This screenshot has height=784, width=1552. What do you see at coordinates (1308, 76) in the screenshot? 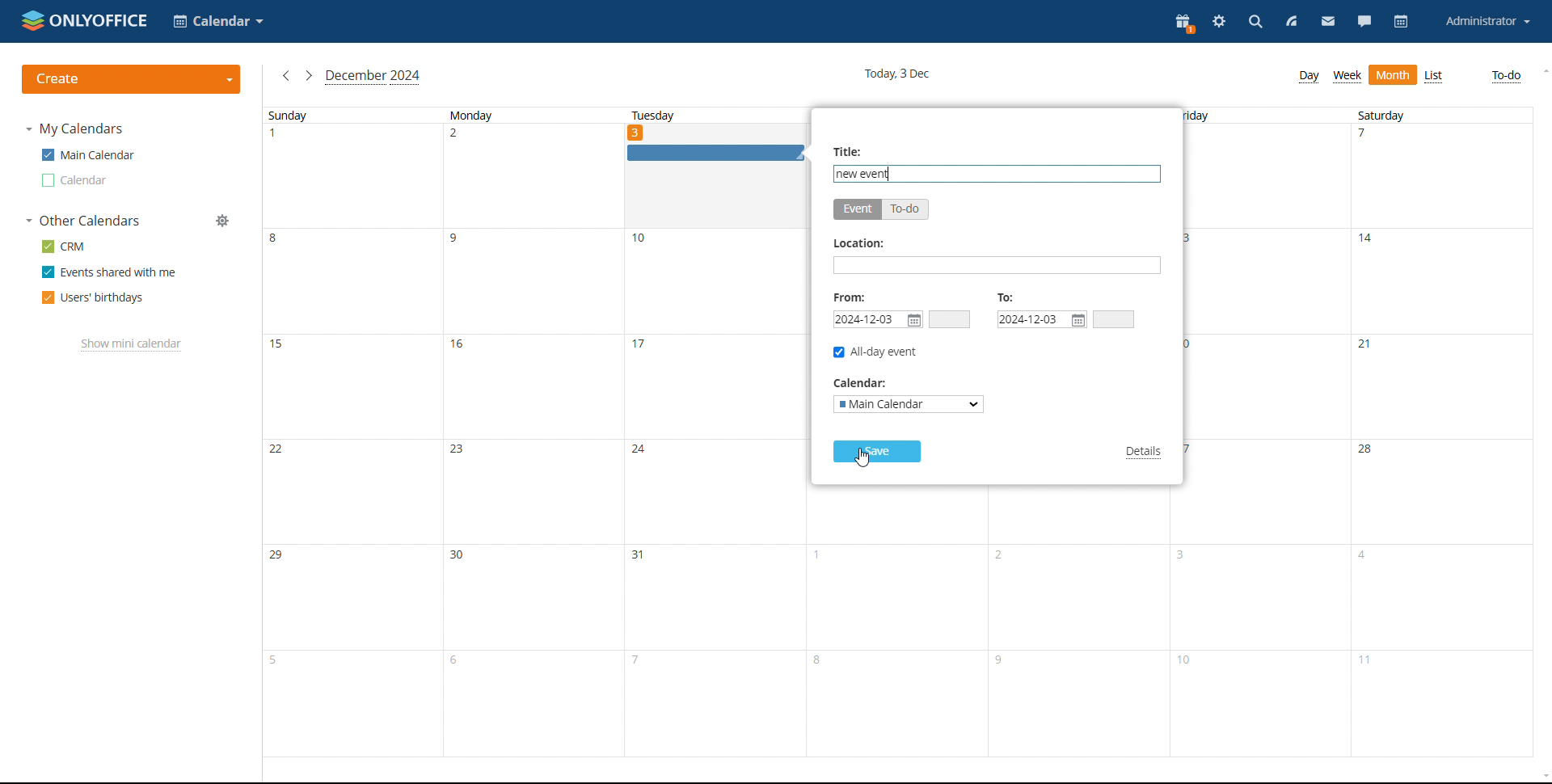
I see `day view` at bounding box center [1308, 76].